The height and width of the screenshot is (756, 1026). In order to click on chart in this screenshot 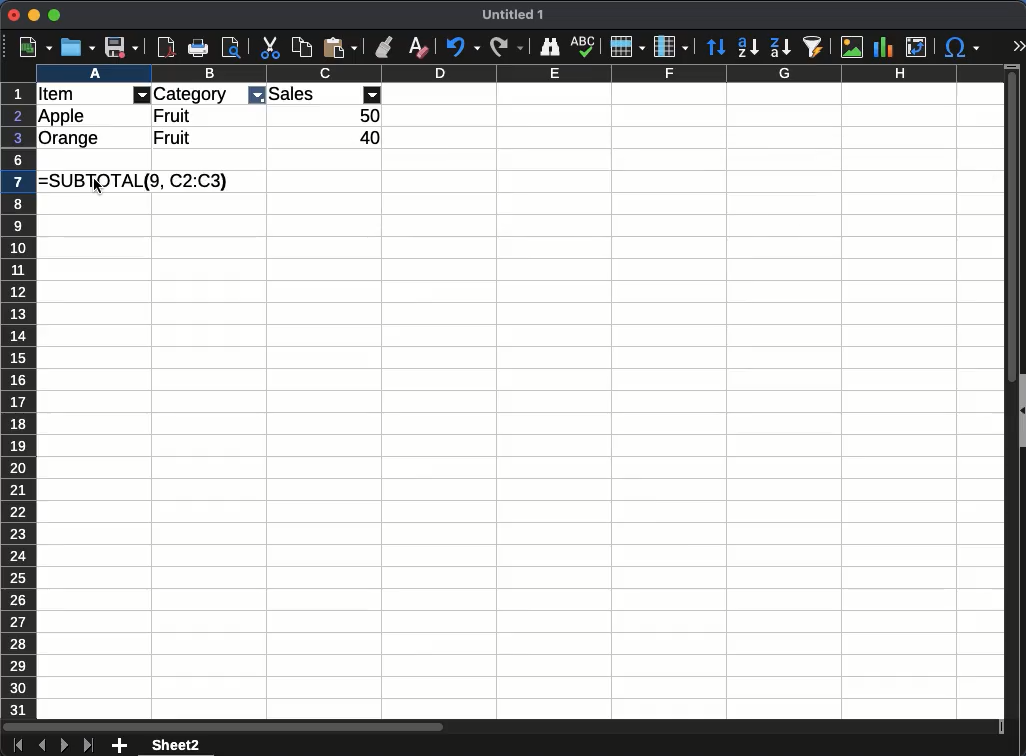, I will do `click(887, 47)`.